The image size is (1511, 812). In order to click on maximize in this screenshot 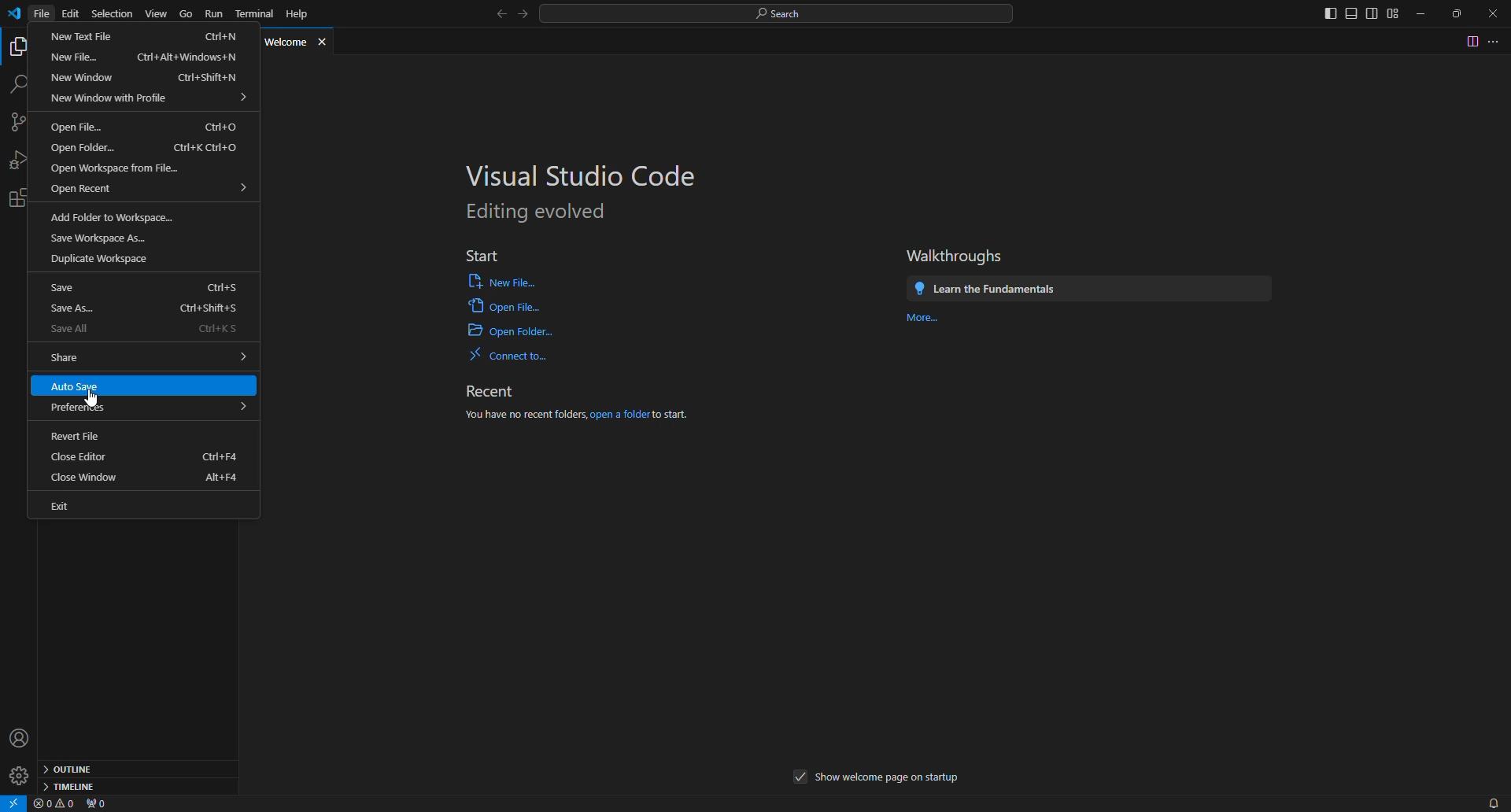, I will do `click(1457, 14)`.